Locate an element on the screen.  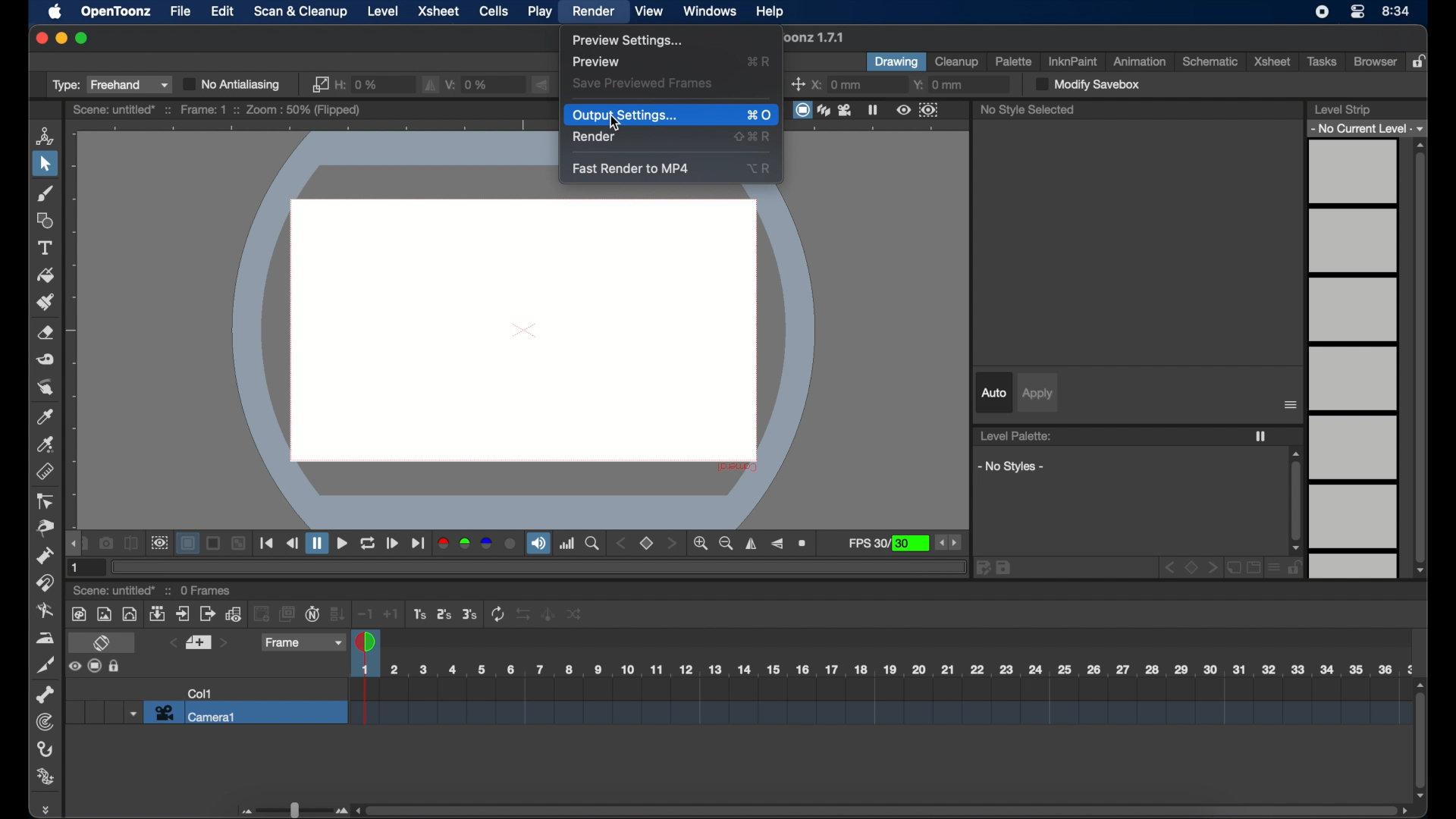
modify save box is located at coordinates (1086, 84).